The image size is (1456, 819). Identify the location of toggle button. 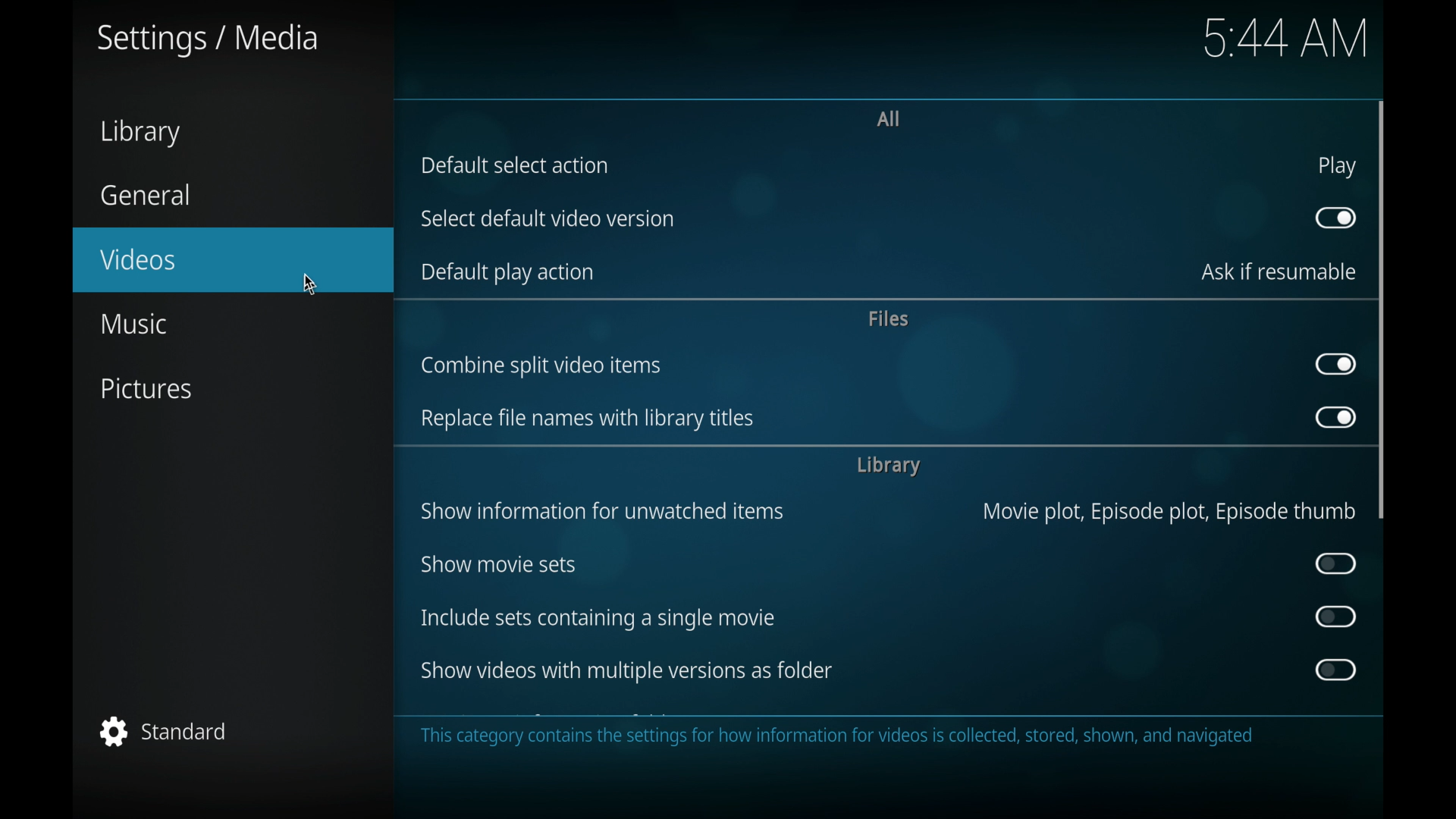
(1334, 416).